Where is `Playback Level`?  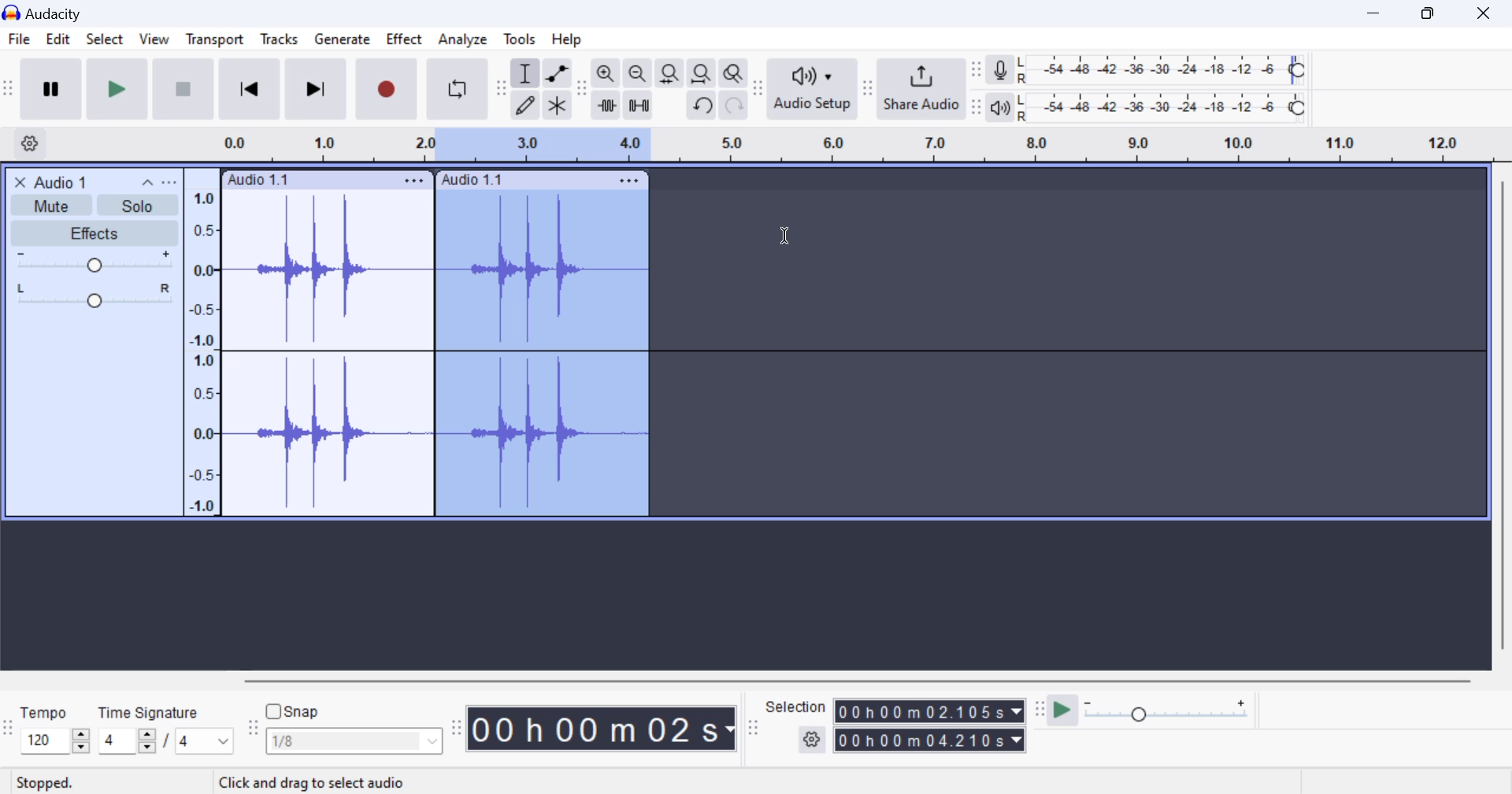
Playback Level is located at coordinates (1162, 108).